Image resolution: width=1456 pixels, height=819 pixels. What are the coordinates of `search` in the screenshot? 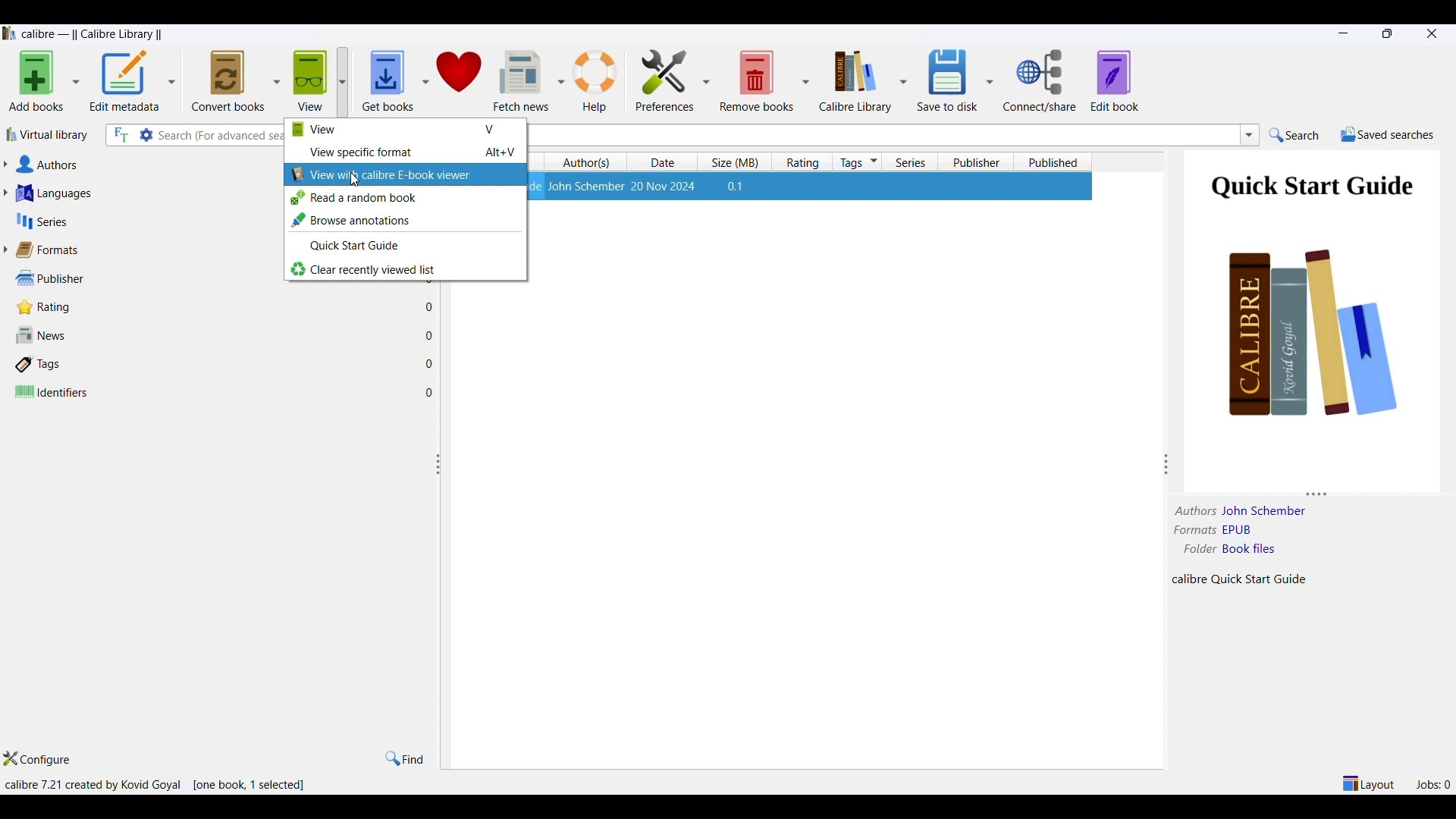 It's located at (1301, 135).